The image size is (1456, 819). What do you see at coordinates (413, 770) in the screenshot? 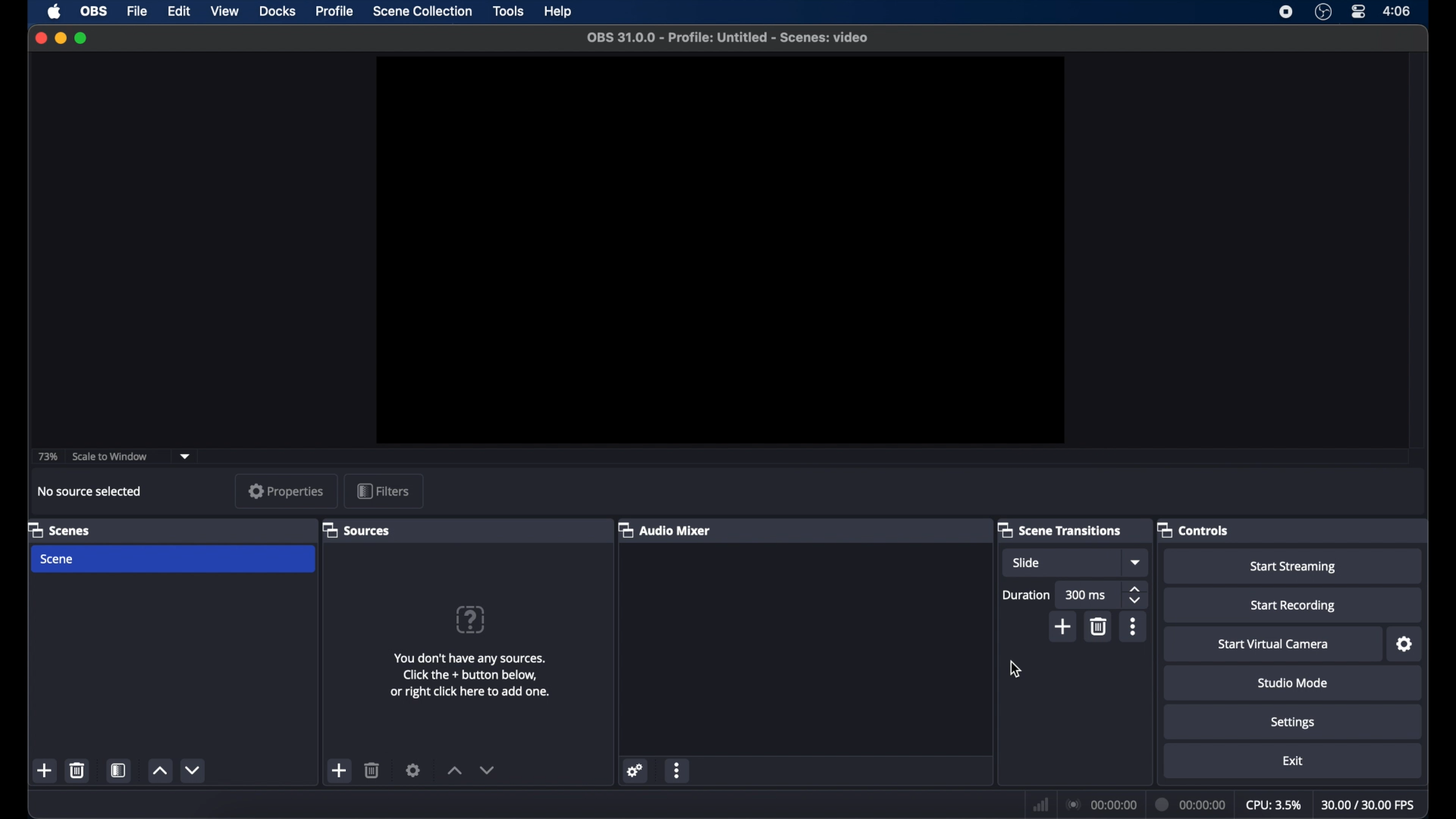
I see `settings` at bounding box center [413, 770].